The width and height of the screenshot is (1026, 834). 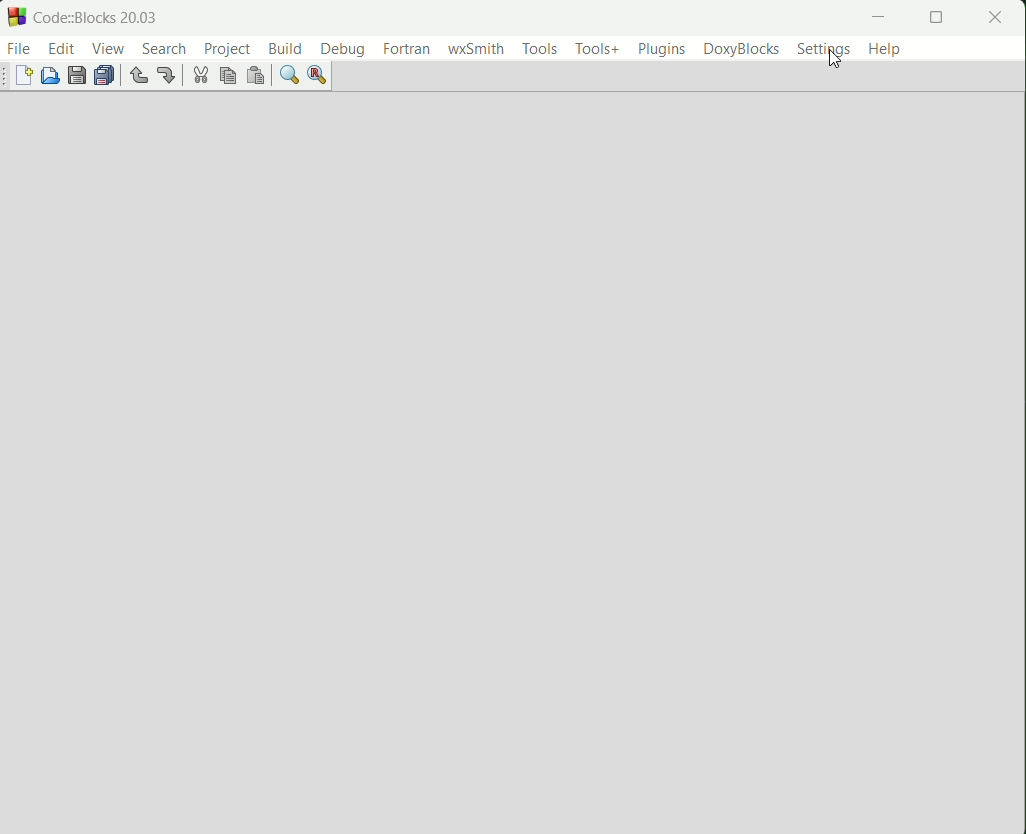 I want to click on search, so click(x=165, y=48).